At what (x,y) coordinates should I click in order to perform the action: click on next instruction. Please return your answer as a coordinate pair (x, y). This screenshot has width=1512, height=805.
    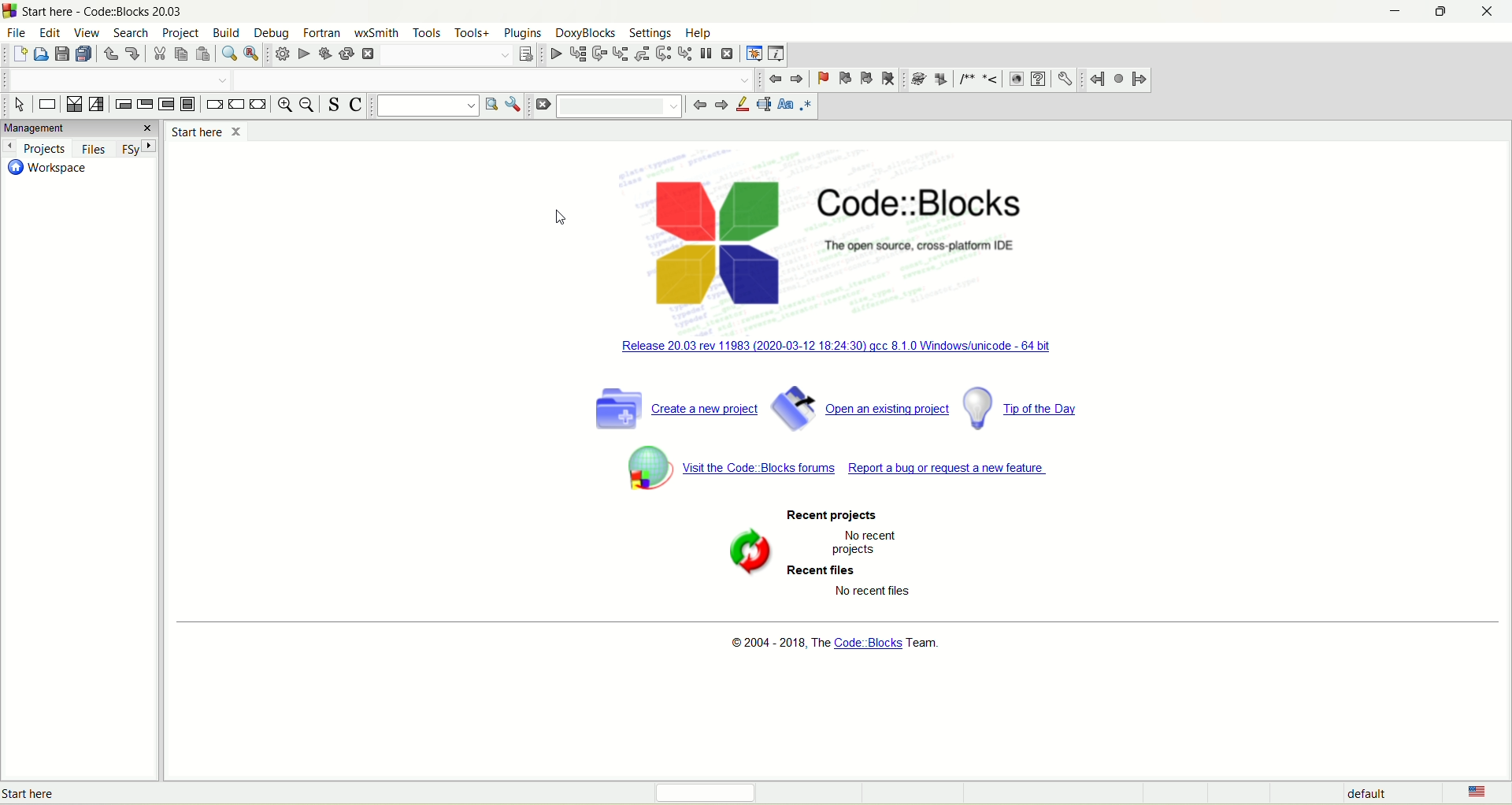
    Looking at the image, I should click on (663, 53).